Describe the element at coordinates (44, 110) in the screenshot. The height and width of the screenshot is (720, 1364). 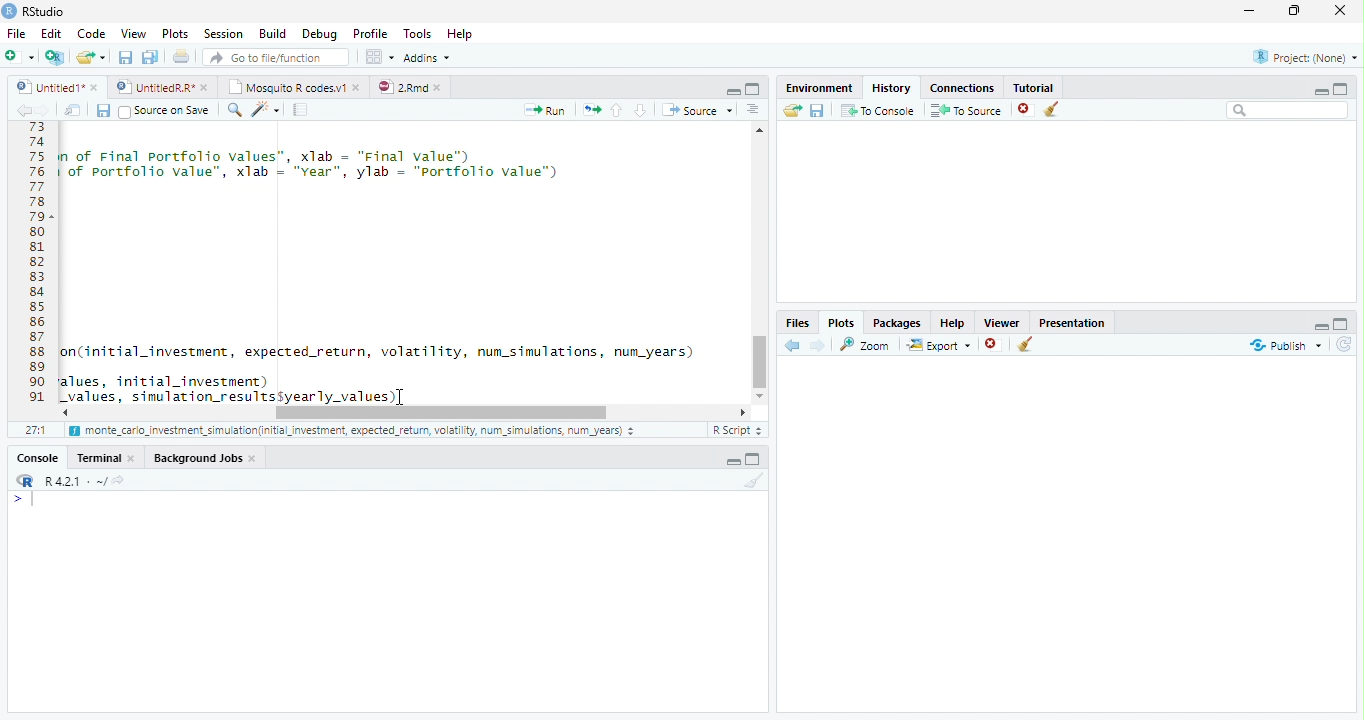
I see `next source location` at that location.